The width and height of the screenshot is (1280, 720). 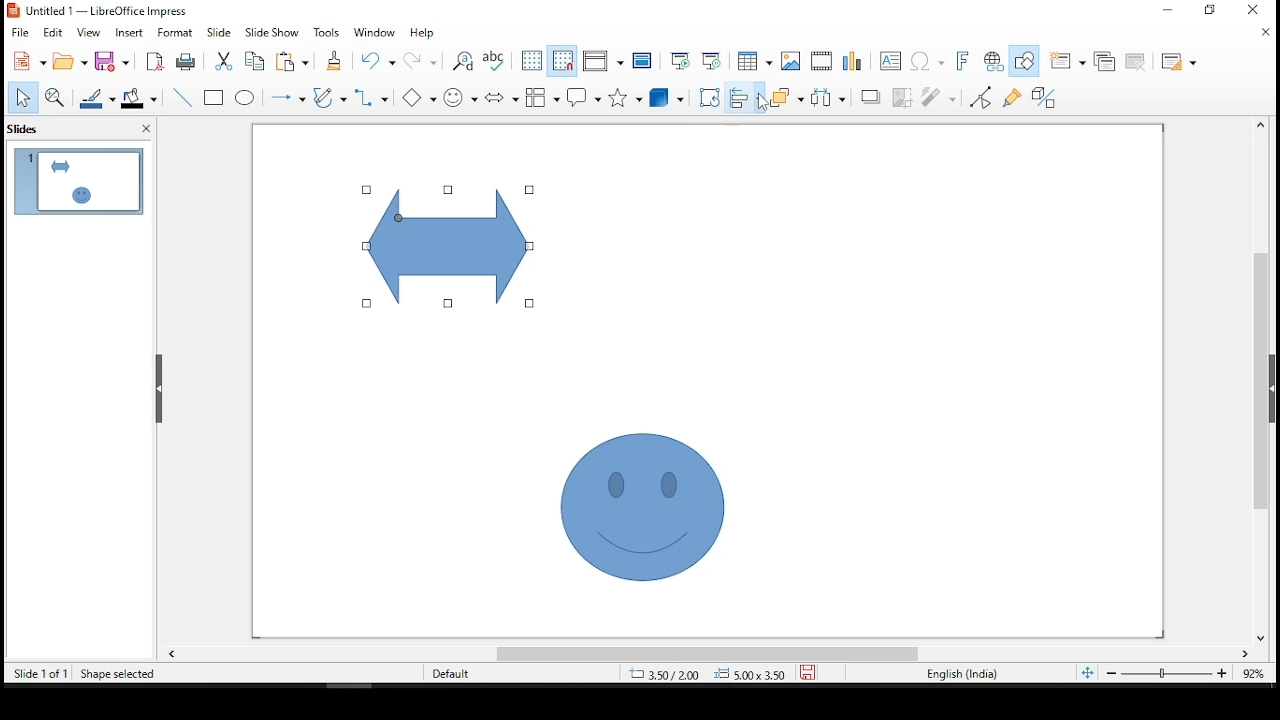 What do you see at coordinates (419, 62) in the screenshot?
I see `redo` at bounding box center [419, 62].